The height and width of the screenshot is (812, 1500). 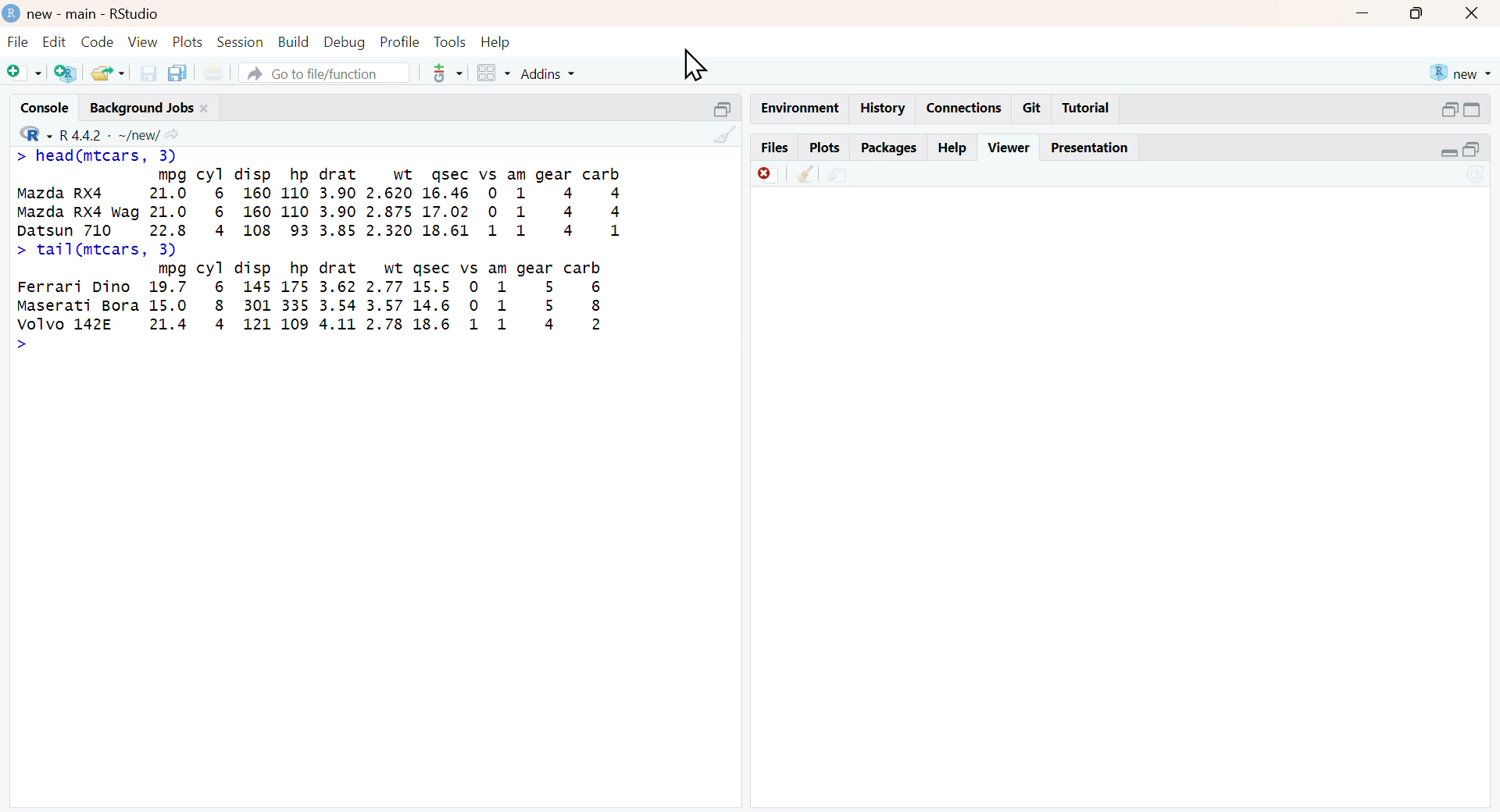 I want to click on mpg cyl disp hp drat wt sec vs am gear carb
Mazda RX4 21.0 6 160 110 3.90 2.620 16.46 0 1 4 4
Mazda RX4 wag 21.0 6 160 110 3.90 2. 17.02 0 1 4 4
ren 710 22.8 4 108 93 3.85 23 18.61 1 1 4 1
>, so click(x=344, y=199).